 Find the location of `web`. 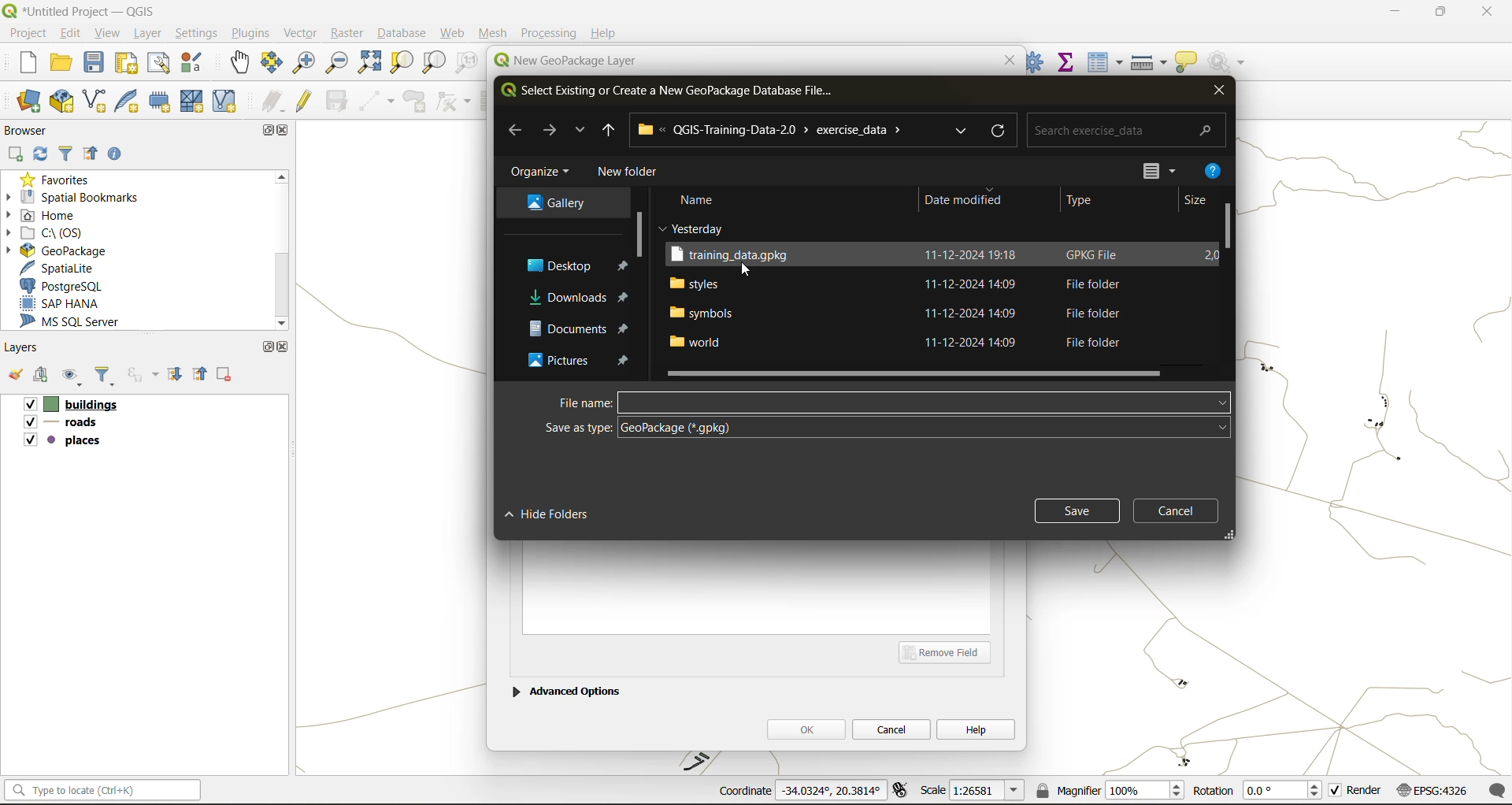

web is located at coordinates (454, 33).